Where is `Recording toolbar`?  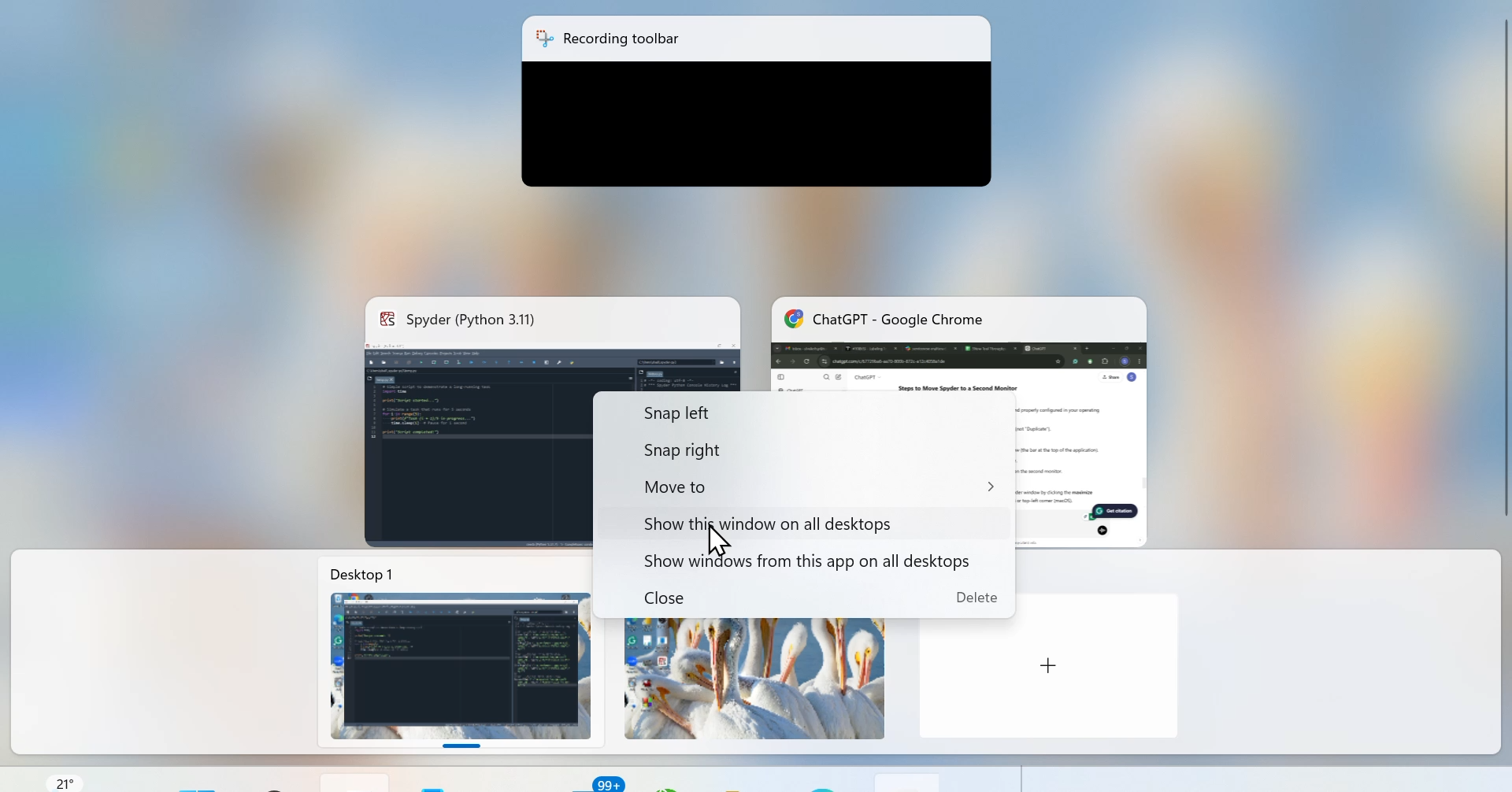
Recording toolbar is located at coordinates (757, 39).